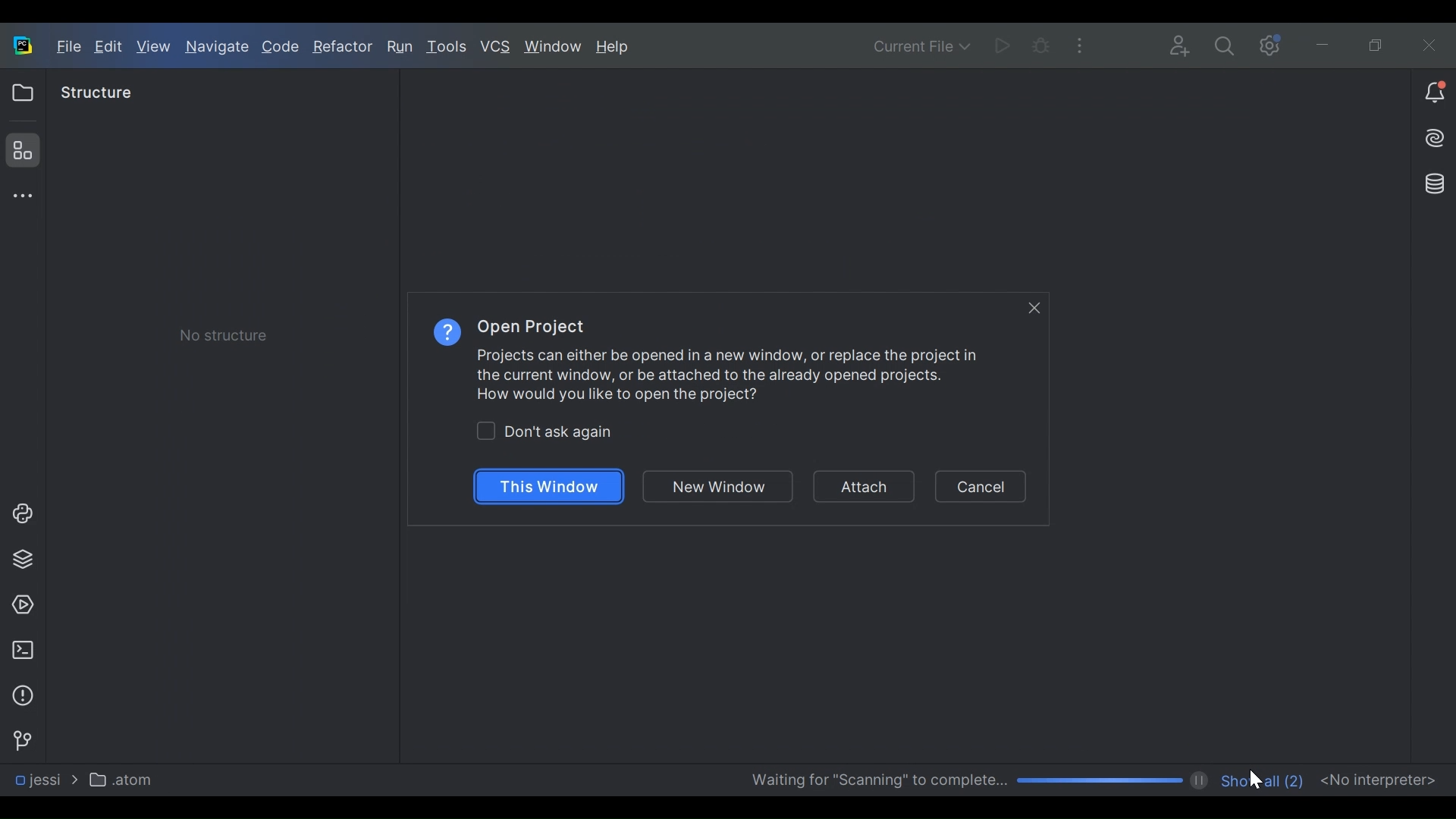 The width and height of the screenshot is (1456, 819). I want to click on Code with me, so click(1181, 49).